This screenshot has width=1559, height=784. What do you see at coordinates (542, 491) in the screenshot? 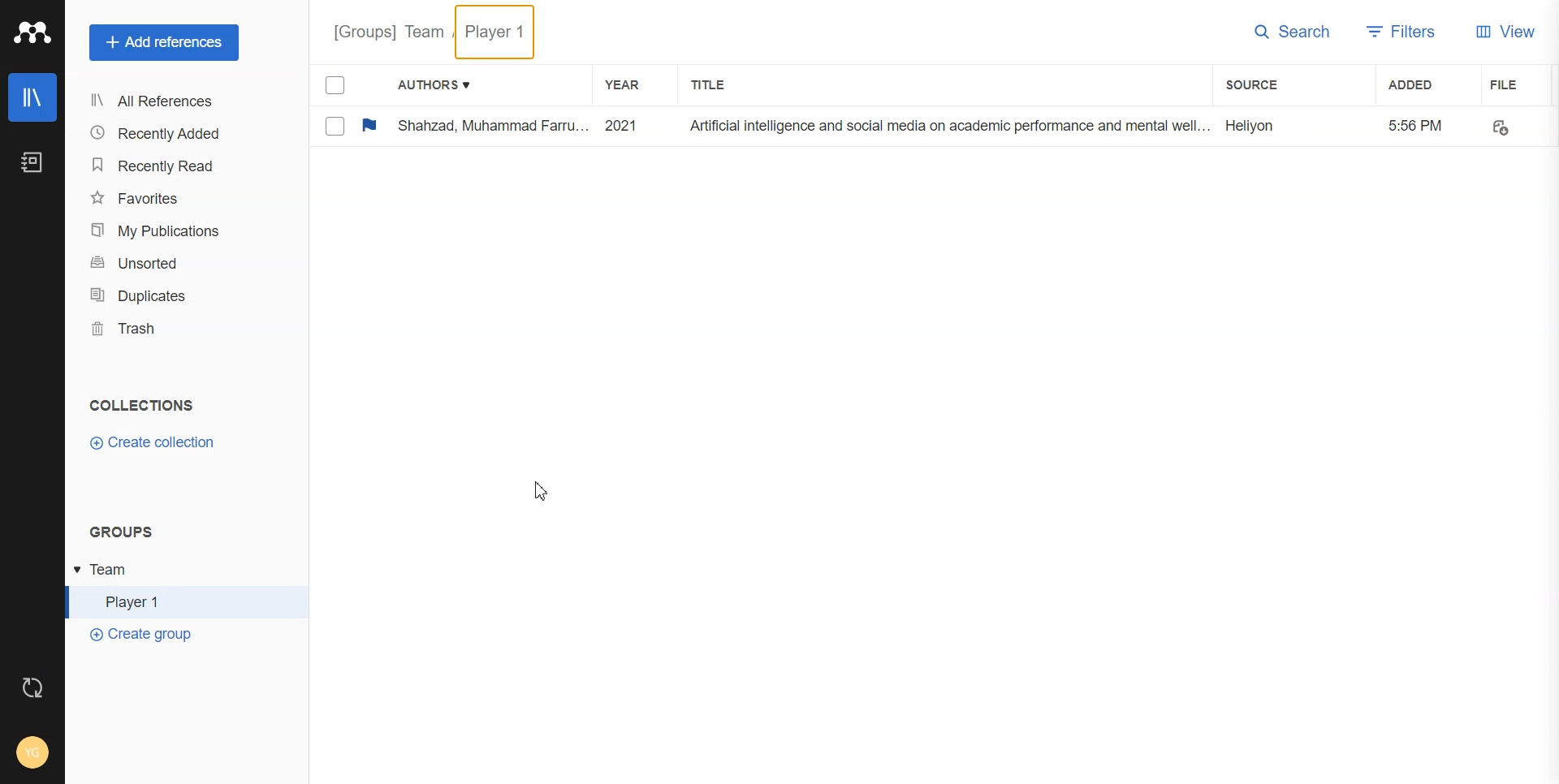
I see `Cursor` at bounding box center [542, 491].